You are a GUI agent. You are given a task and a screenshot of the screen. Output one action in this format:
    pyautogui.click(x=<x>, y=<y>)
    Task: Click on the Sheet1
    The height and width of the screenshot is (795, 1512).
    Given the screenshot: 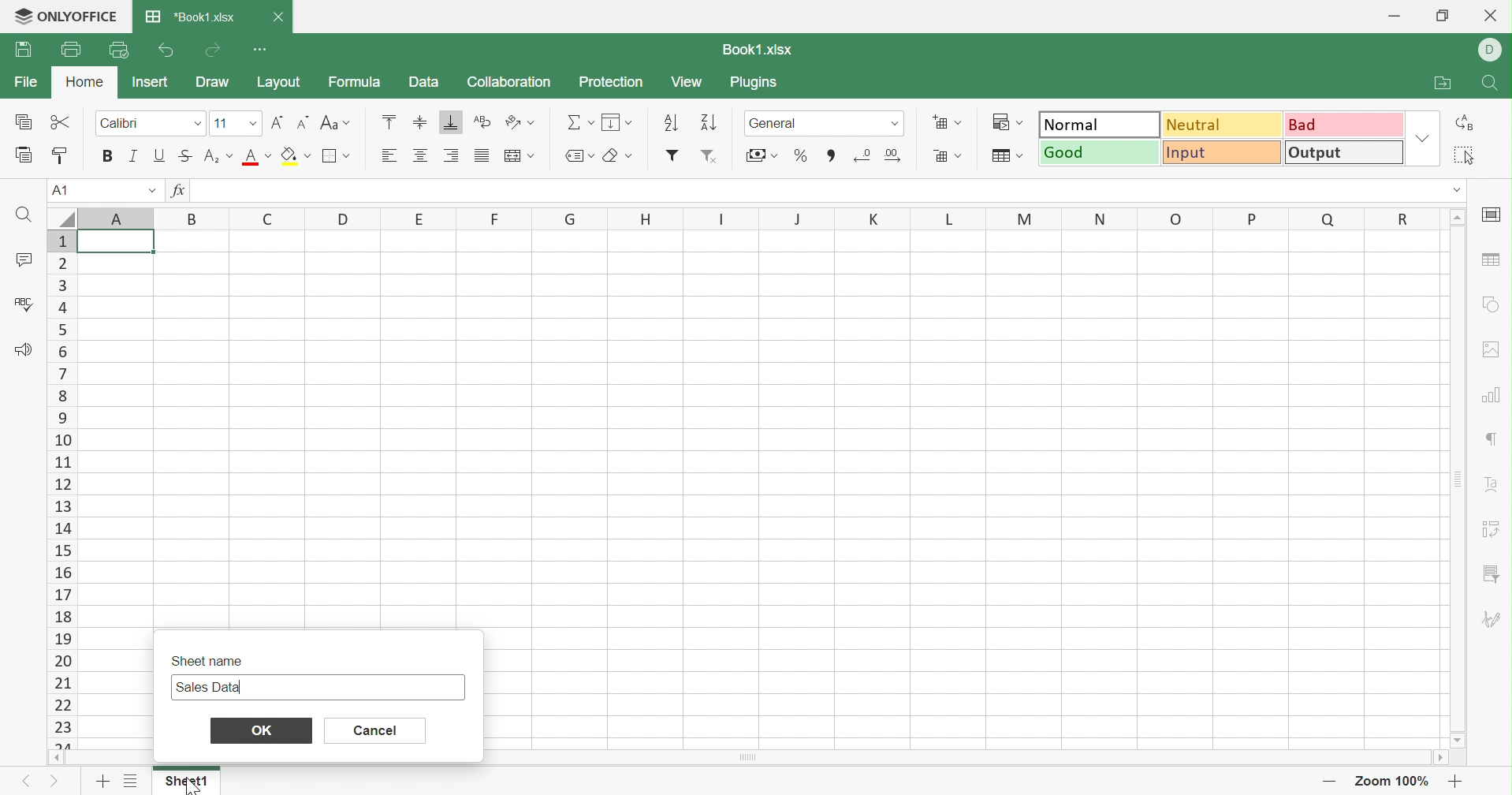 What is the action you would take?
    pyautogui.click(x=188, y=785)
    